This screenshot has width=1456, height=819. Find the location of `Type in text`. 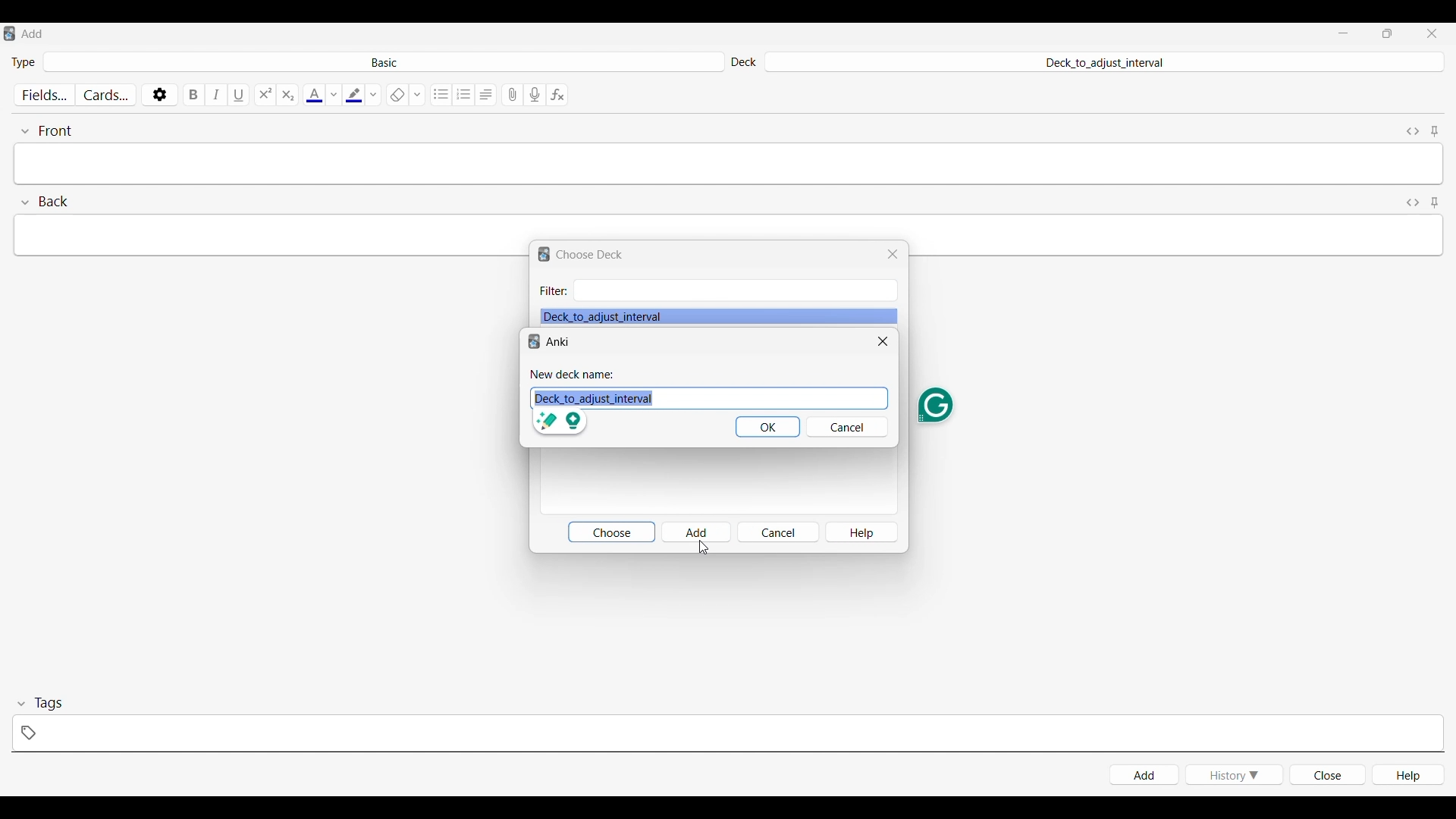

Type in text is located at coordinates (729, 164).